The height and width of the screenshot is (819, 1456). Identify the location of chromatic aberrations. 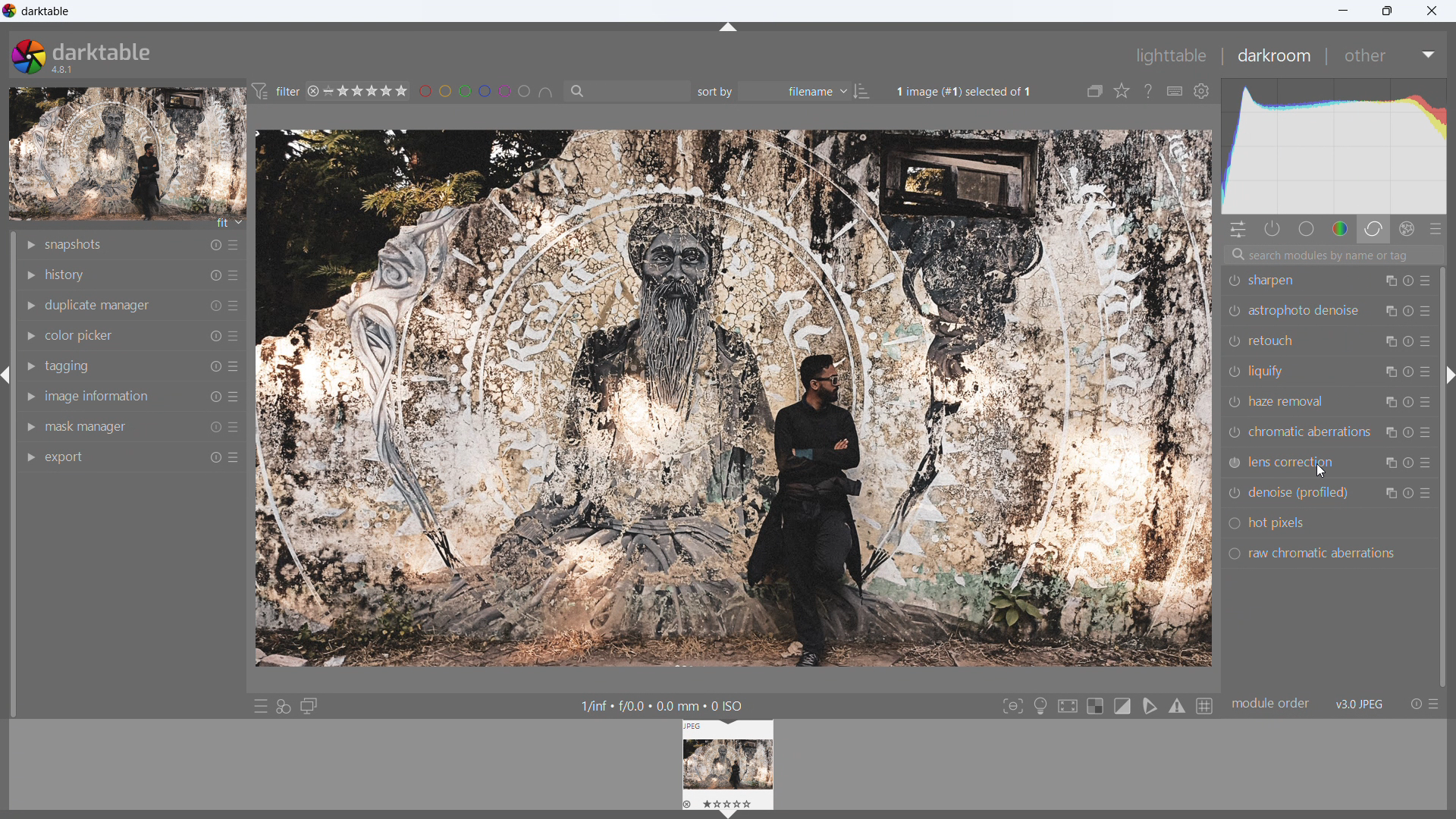
(1312, 431).